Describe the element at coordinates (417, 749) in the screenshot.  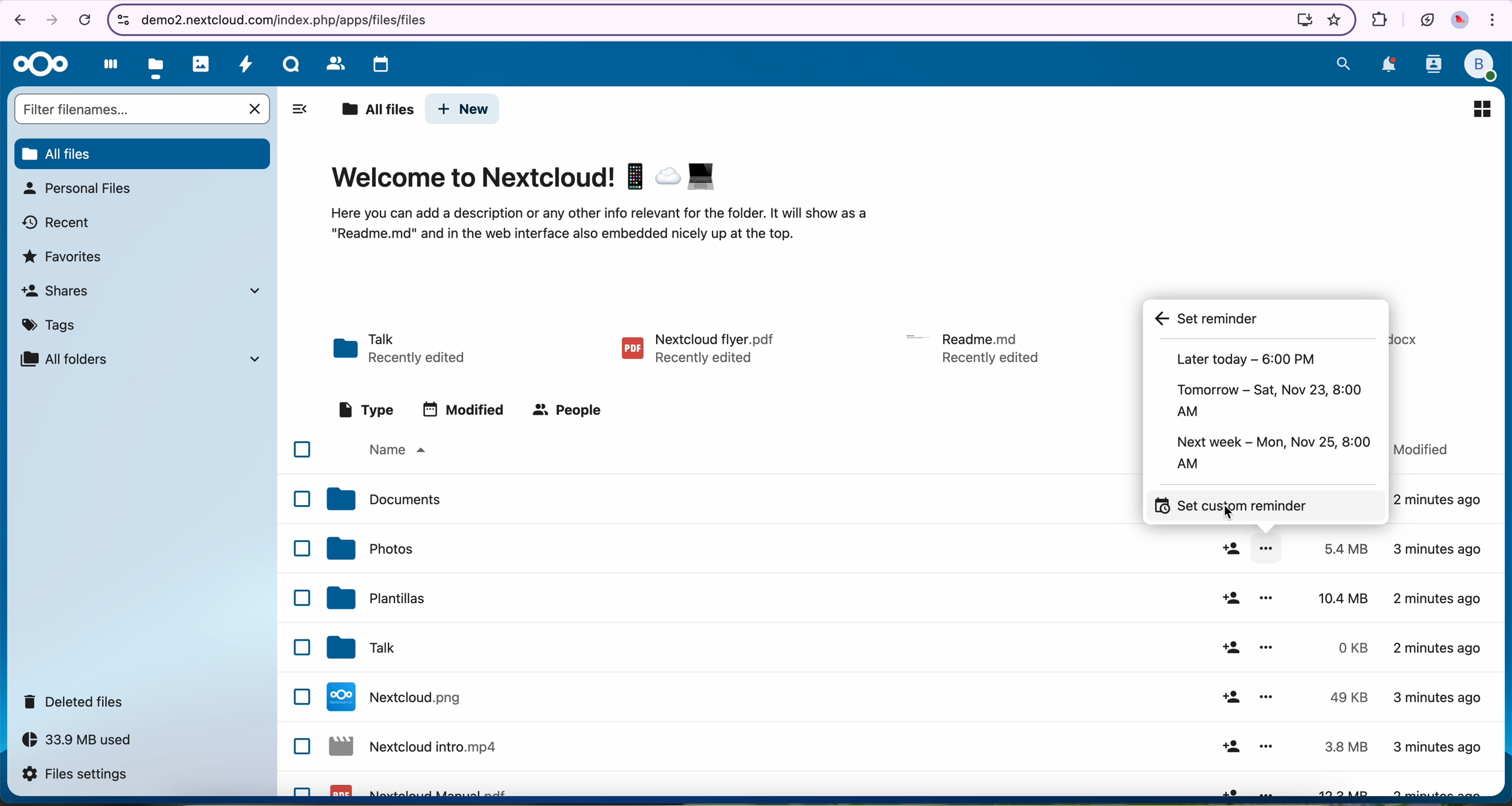
I see `Nextcloud file` at that location.